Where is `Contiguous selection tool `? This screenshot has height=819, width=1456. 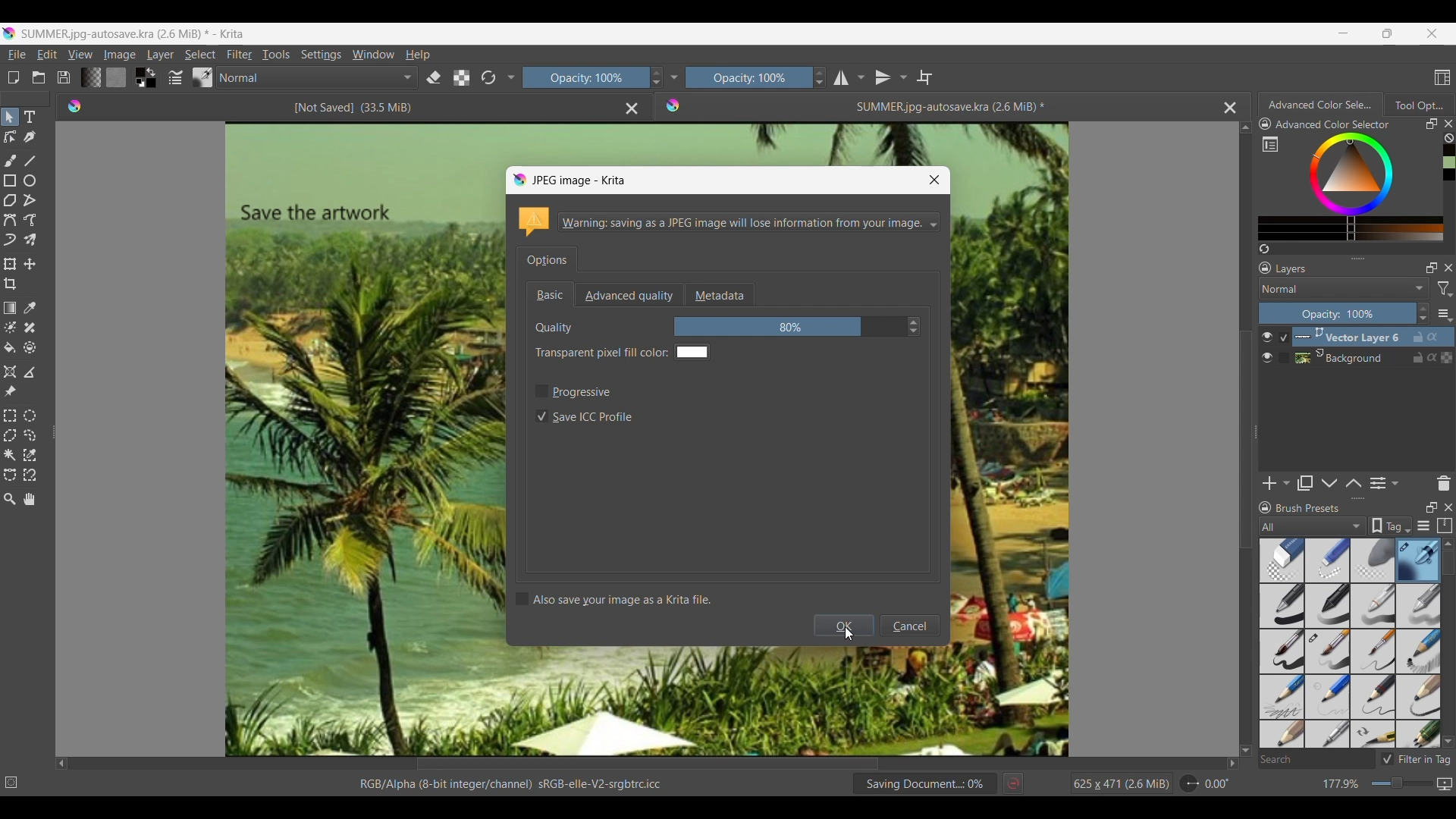 Contiguous selection tool  is located at coordinates (9, 455).